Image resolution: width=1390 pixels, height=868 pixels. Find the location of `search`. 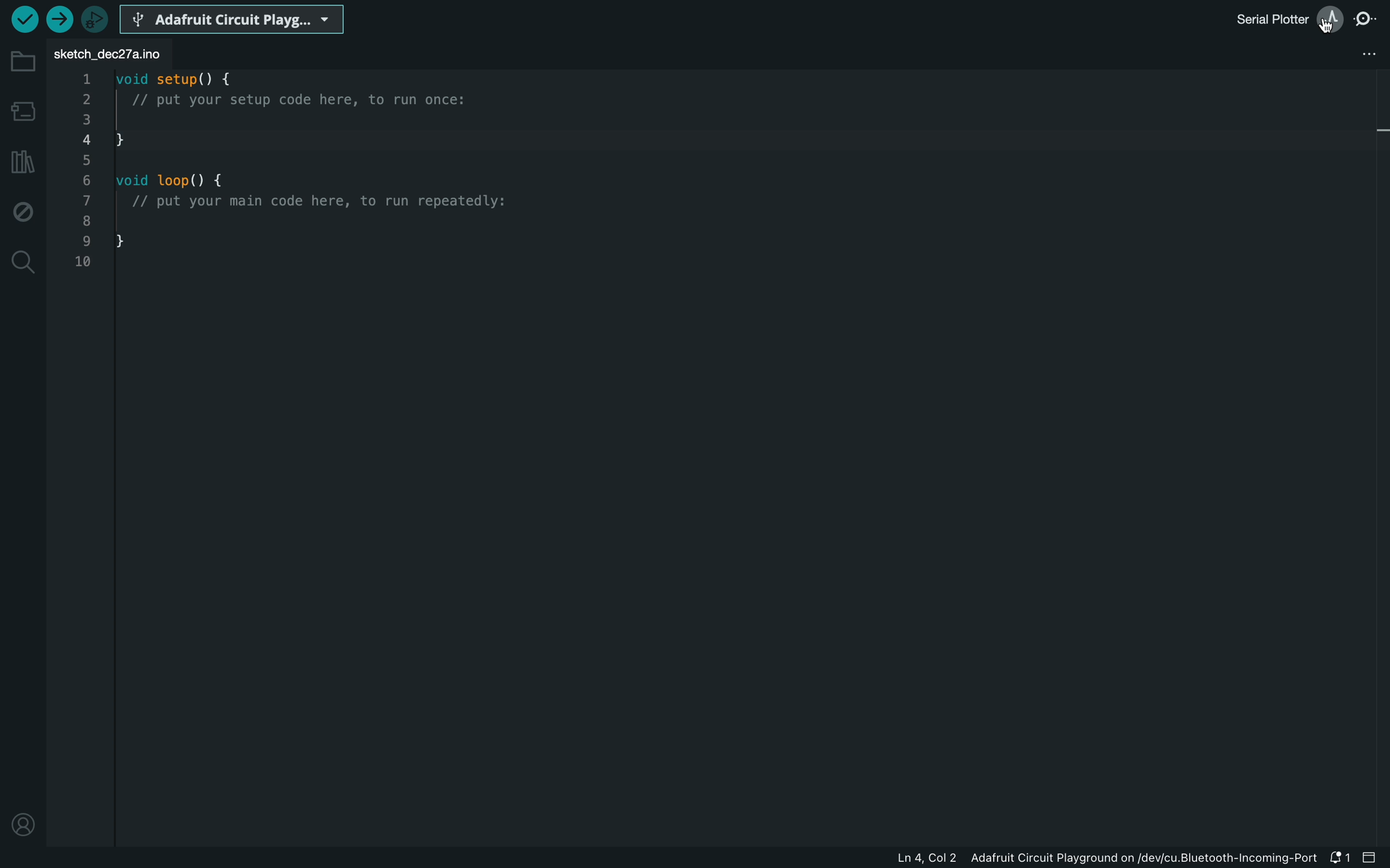

search is located at coordinates (22, 262).